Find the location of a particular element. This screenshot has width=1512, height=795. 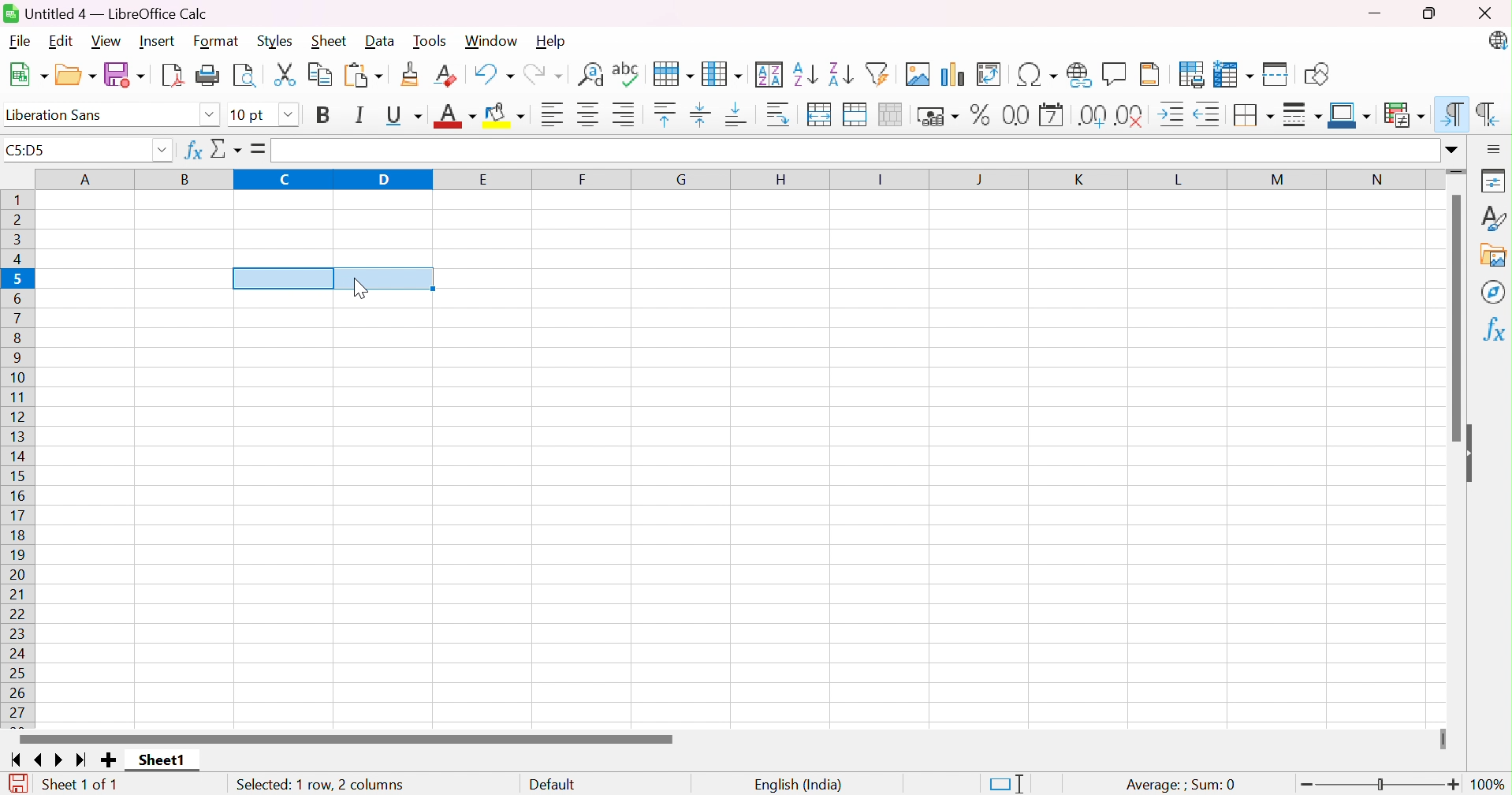

Open is located at coordinates (76, 74).